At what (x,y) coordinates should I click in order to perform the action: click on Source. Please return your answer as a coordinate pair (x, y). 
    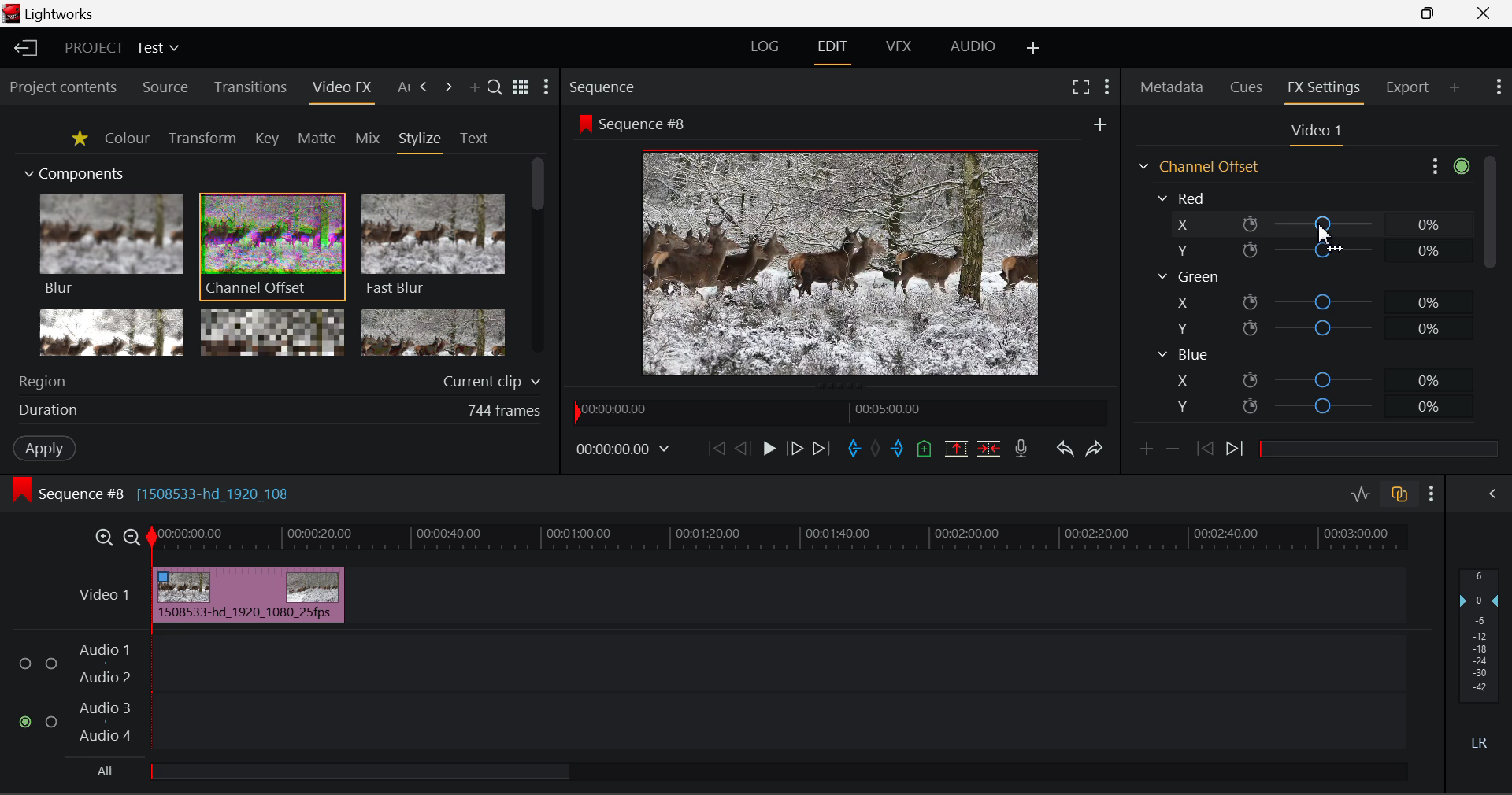
    Looking at the image, I should click on (167, 87).